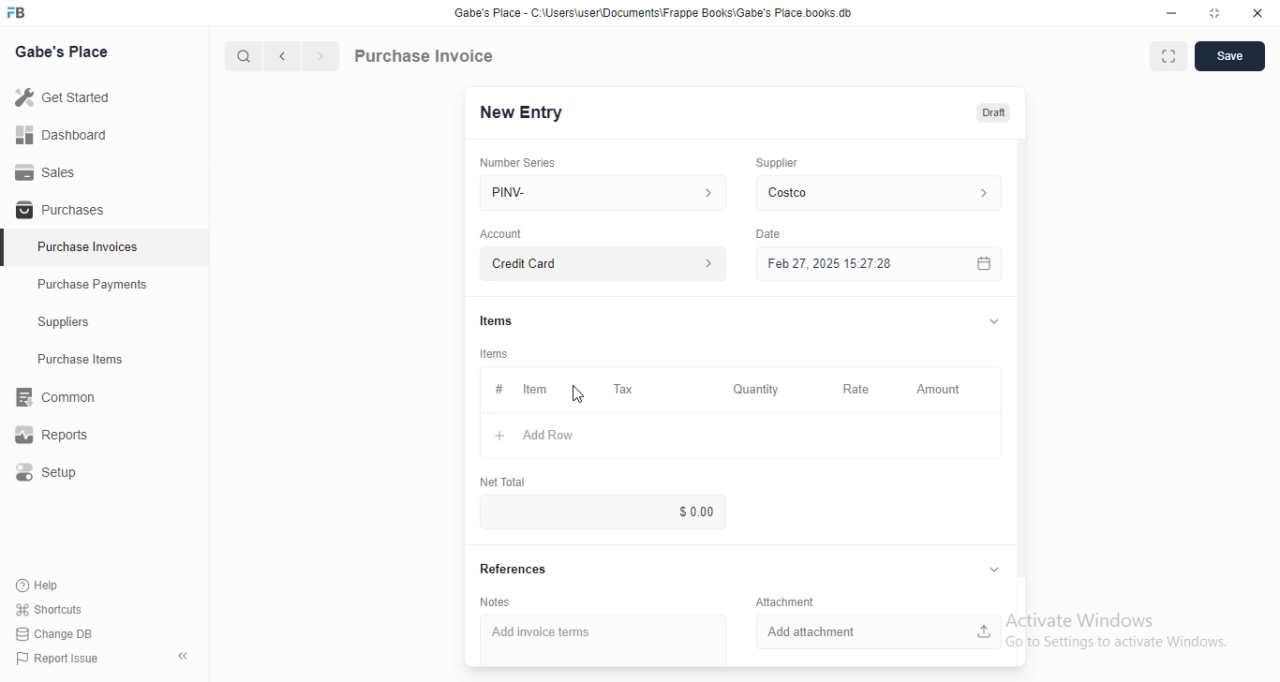 The height and width of the screenshot is (682, 1280). I want to click on Account, so click(501, 234).